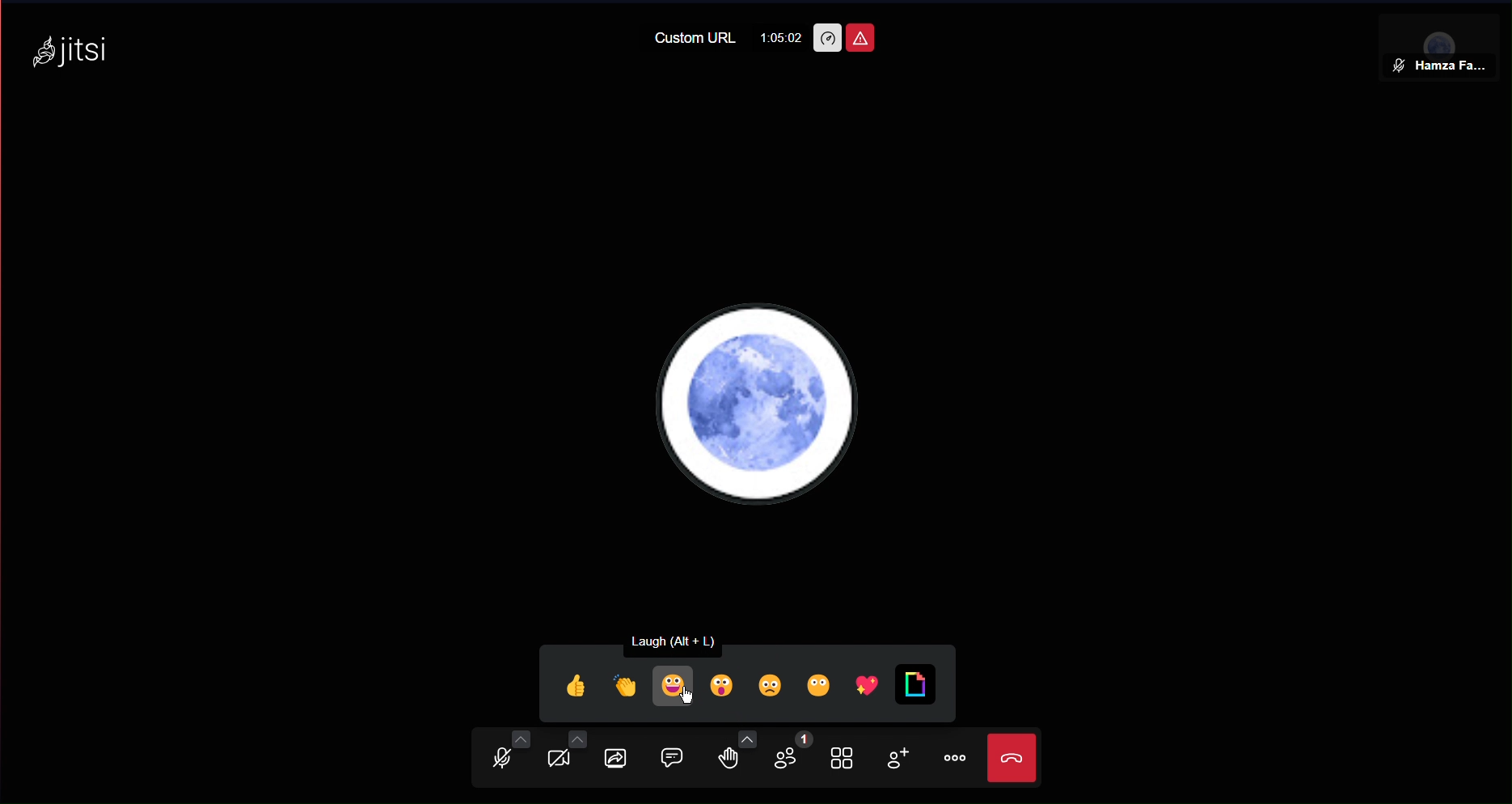  I want to click on Tile View, so click(847, 760).